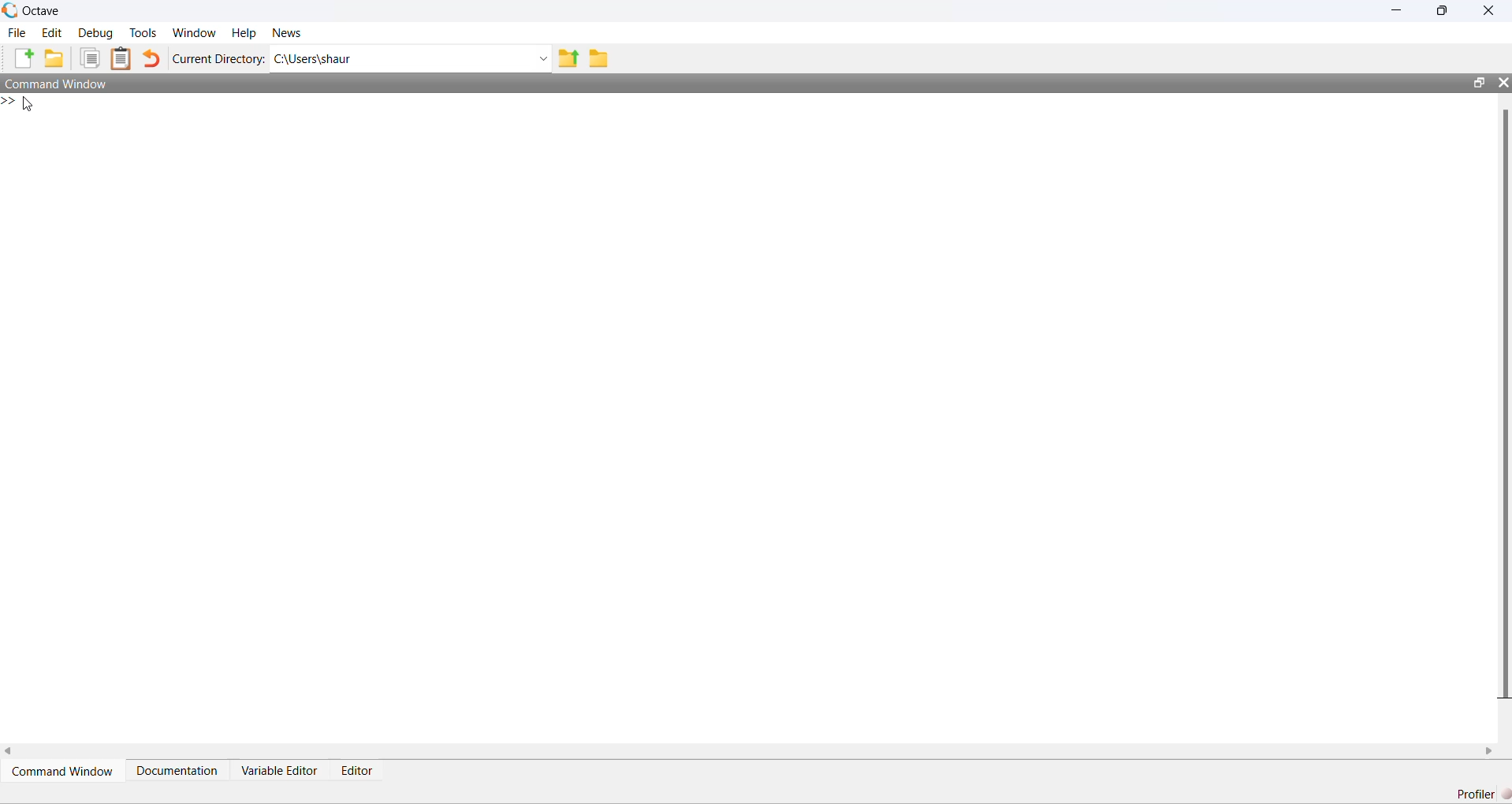 The height and width of the screenshot is (804, 1512). What do you see at coordinates (1504, 403) in the screenshot?
I see `scroll bar` at bounding box center [1504, 403].